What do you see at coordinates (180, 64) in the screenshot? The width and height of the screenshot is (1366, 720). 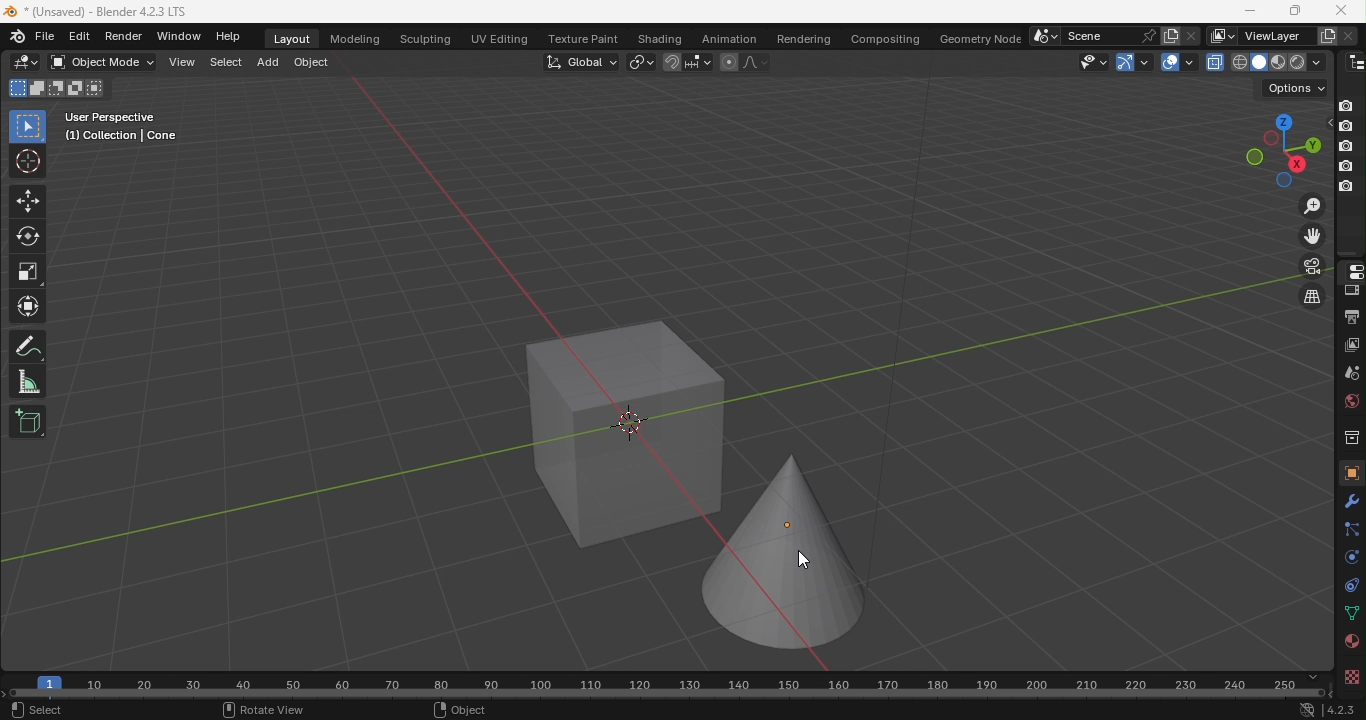 I see `View` at bounding box center [180, 64].